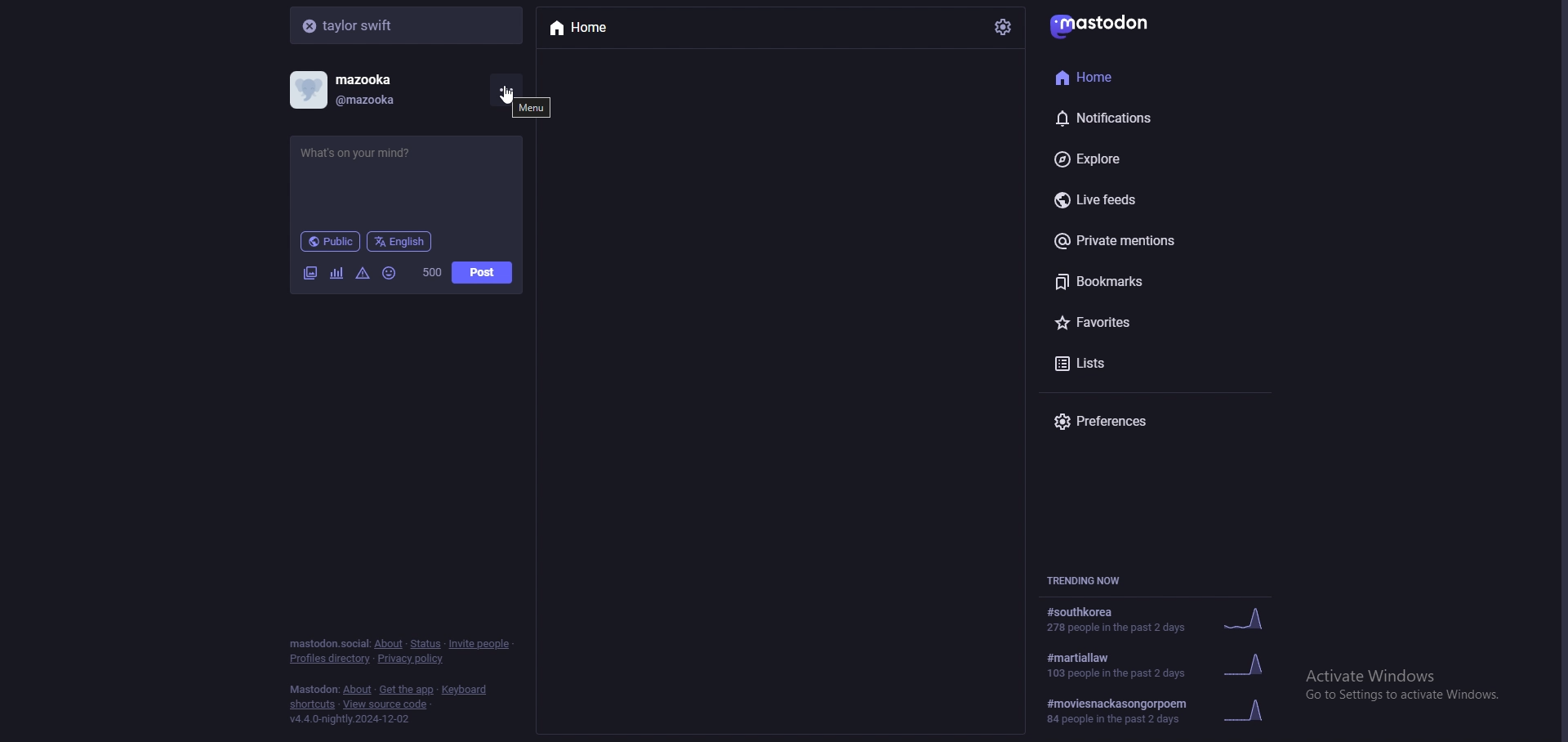 Image resolution: width=1568 pixels, height=742 pixels. Describe the element at coordinates (1094, 581) in the screenshot. I see `trending now` at that location.